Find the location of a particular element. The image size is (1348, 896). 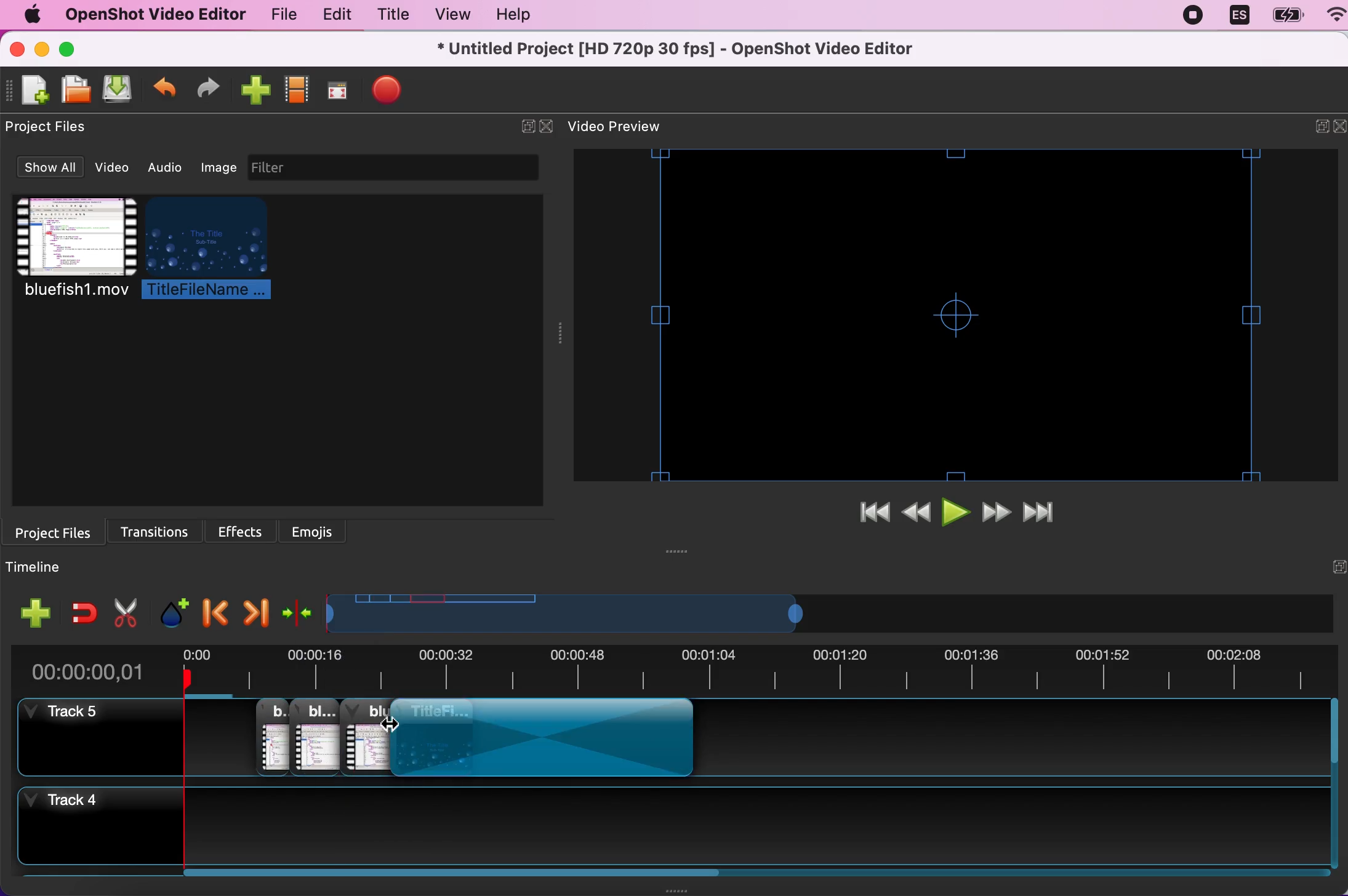

close is located at coordinates (548, 127).